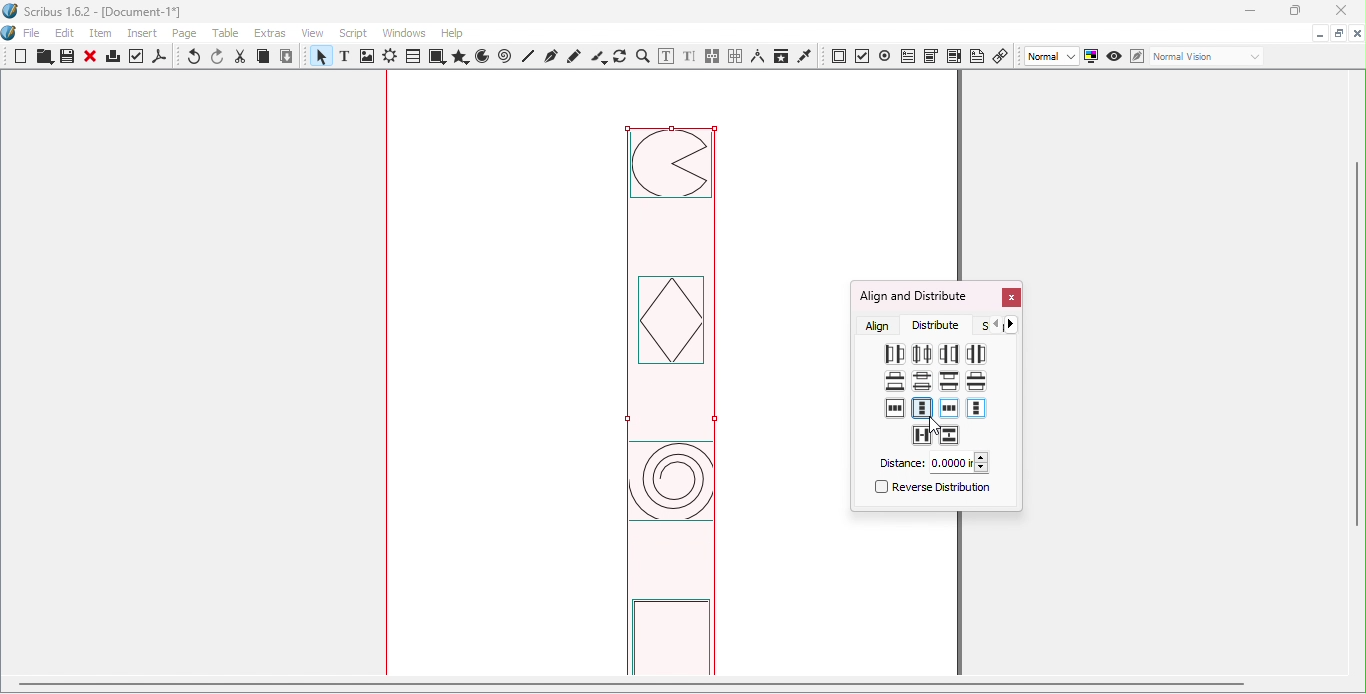 The image size is (1366, 694). Describe the element at coordinates (913, 296) in the screenshot. I see `Align and Distribute` at that location.